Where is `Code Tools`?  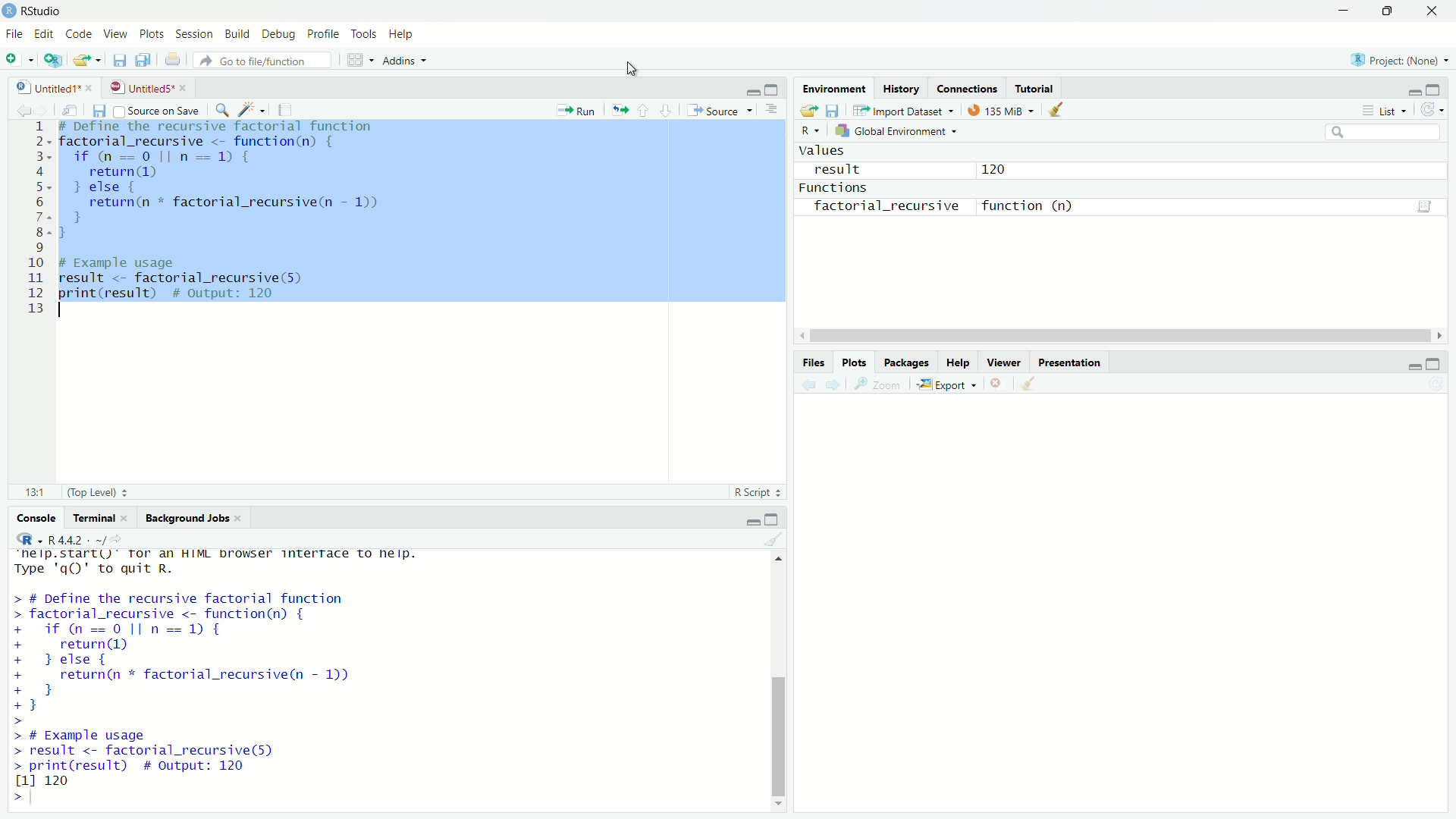 Code Tools is located at coordinates (254, 108).